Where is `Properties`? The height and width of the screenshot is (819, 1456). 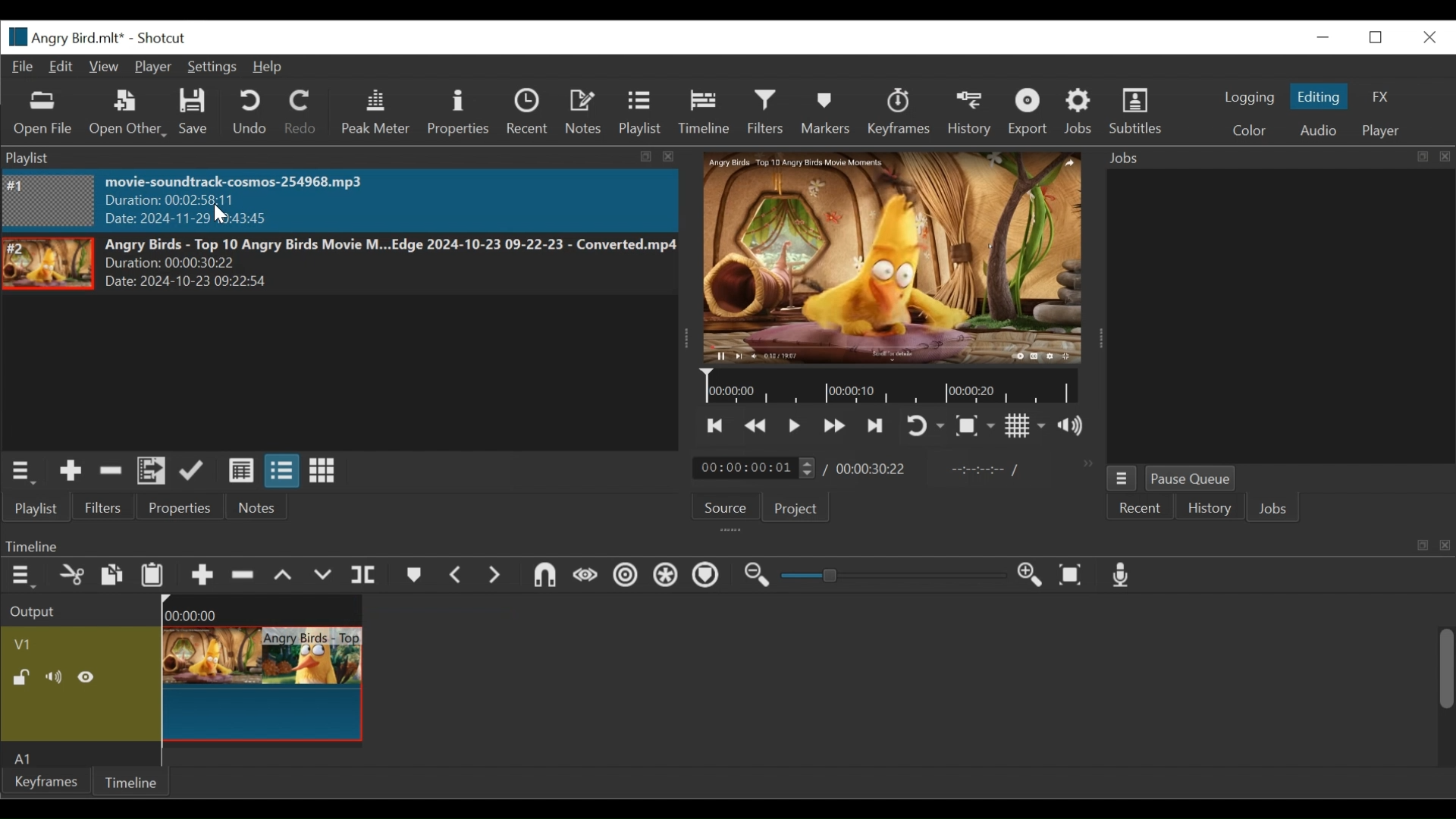
Properties is located at coordinates (183, 508).